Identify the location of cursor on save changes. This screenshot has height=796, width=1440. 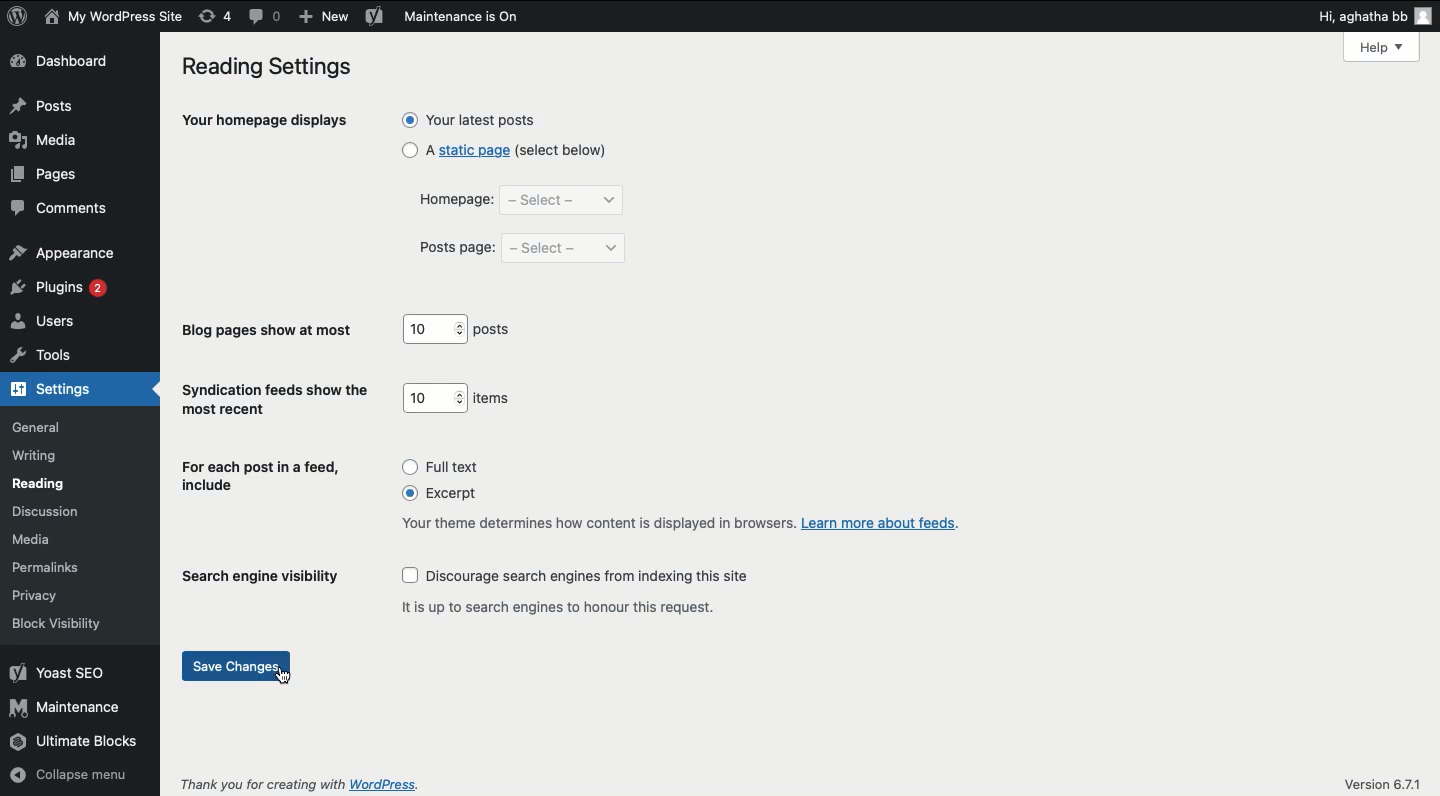
(283, 677).